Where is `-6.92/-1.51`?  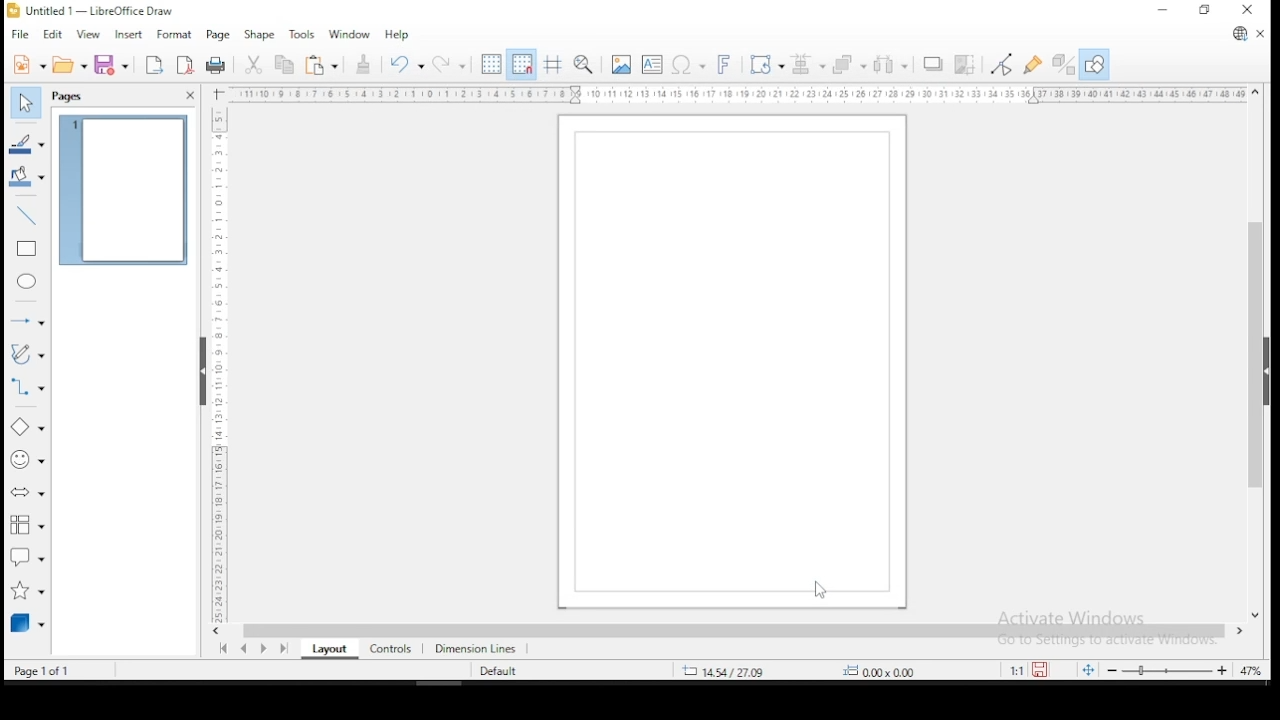 -6.92/-1.51 is located at coordinates (729, 670).